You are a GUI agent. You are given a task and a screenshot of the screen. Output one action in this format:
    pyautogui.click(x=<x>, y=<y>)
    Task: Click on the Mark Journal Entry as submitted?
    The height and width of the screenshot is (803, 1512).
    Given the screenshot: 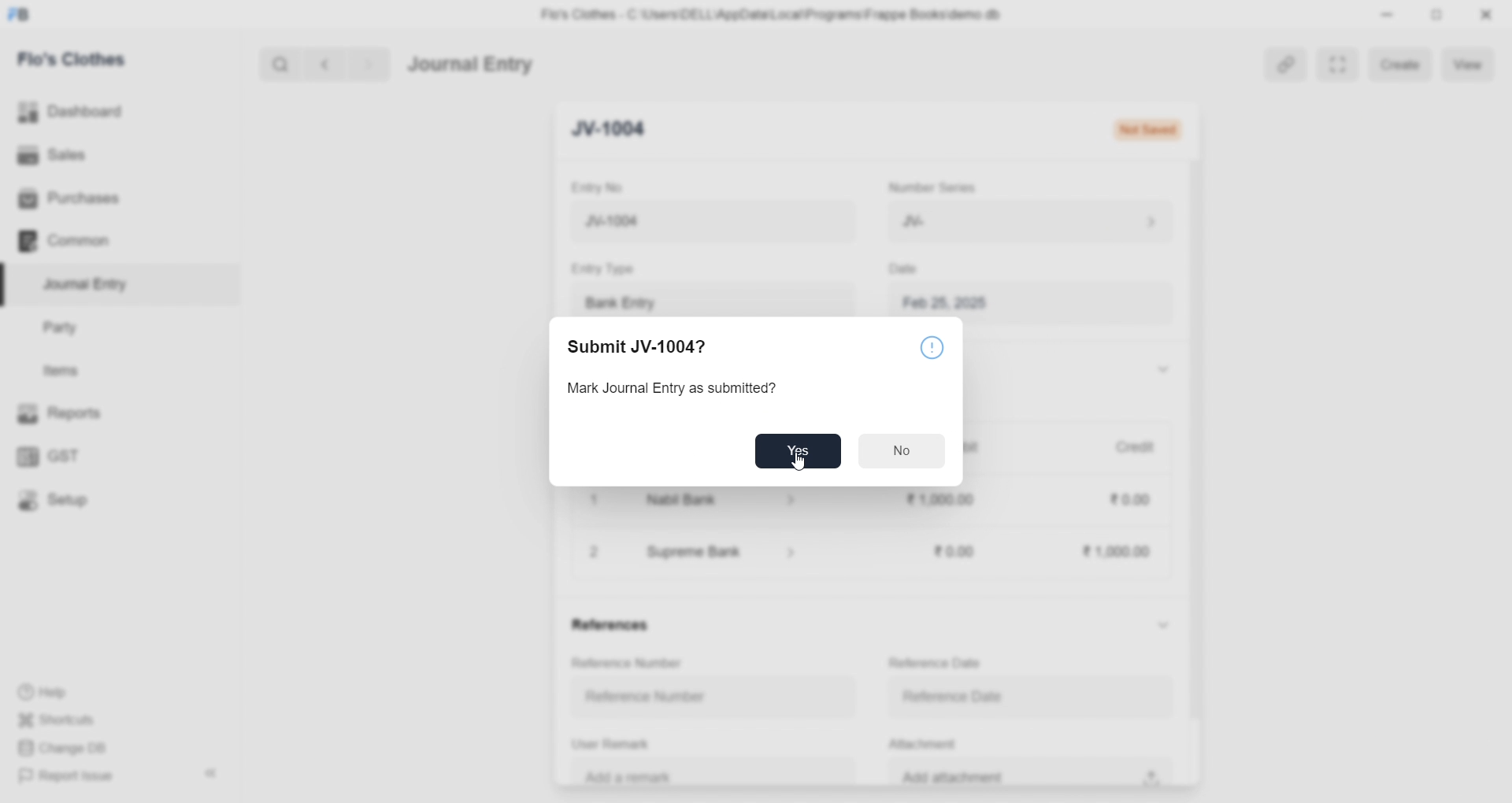 What is the action you would take?
    pyautogui.click(x=670, y=389)
    